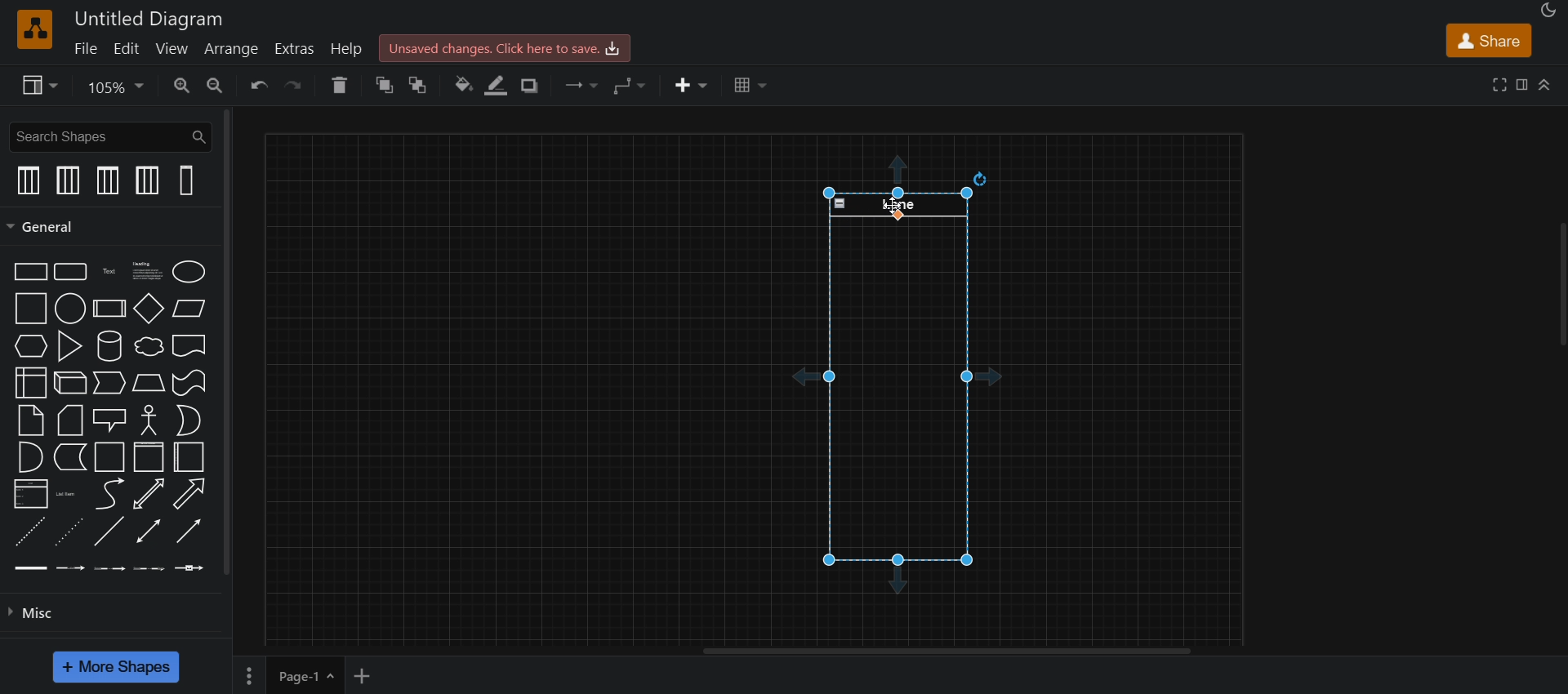  I want to click on text with heading, so click(145, 270).